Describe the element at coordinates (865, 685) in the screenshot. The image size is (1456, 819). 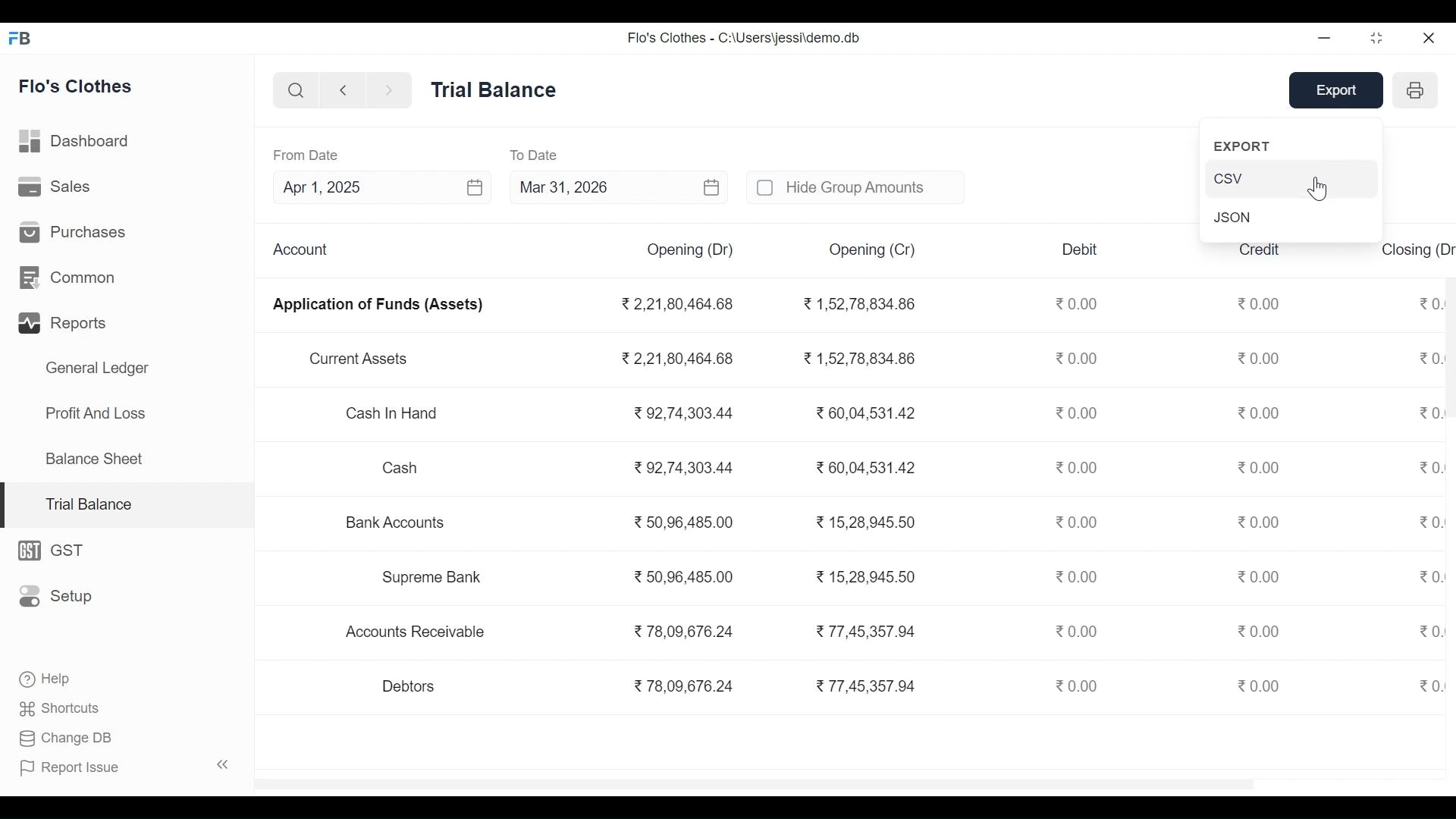
I see `77,45,357.94` at that location.